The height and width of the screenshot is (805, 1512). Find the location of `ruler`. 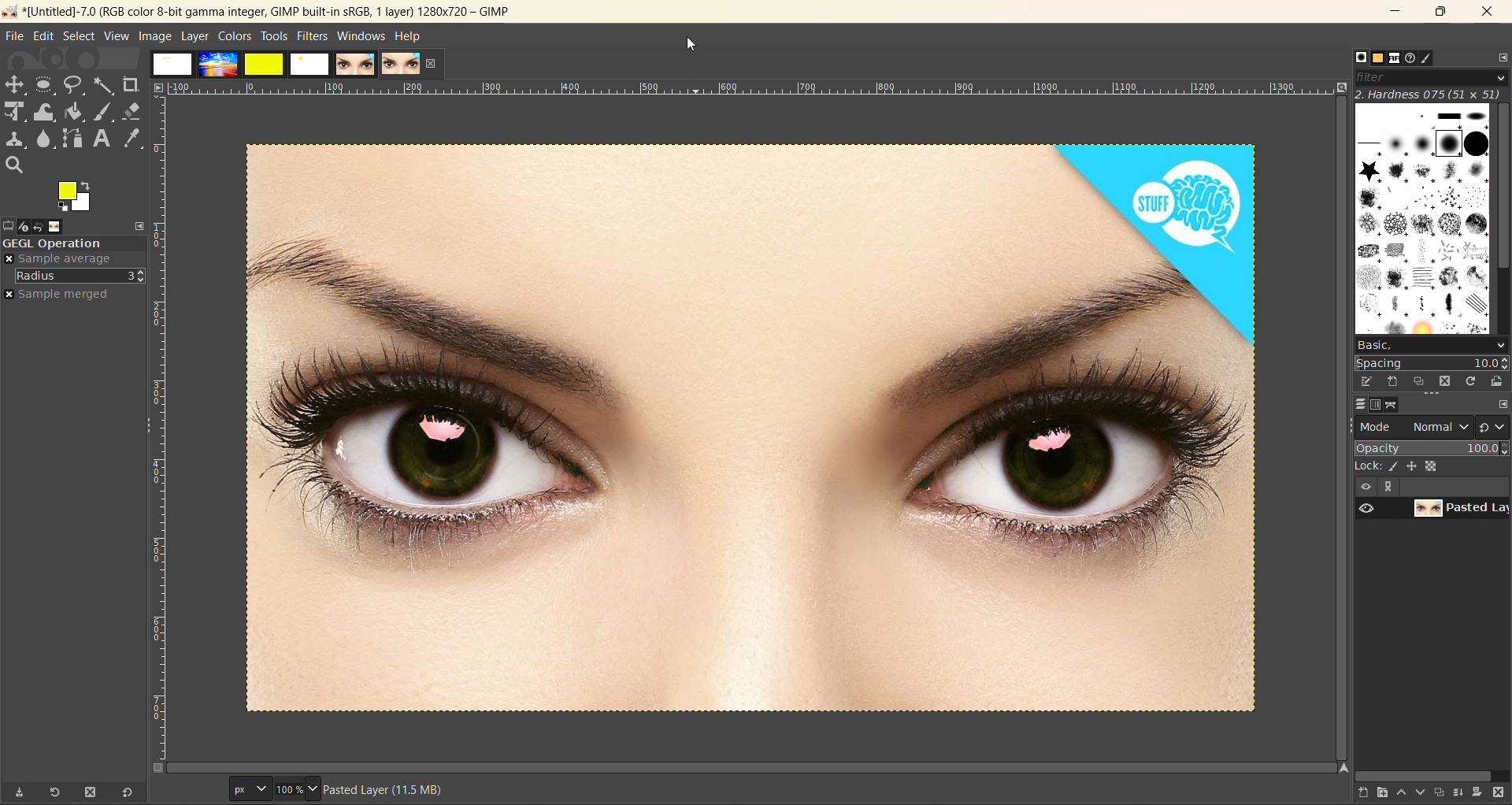

ruler is located at coordinates (744, 87).